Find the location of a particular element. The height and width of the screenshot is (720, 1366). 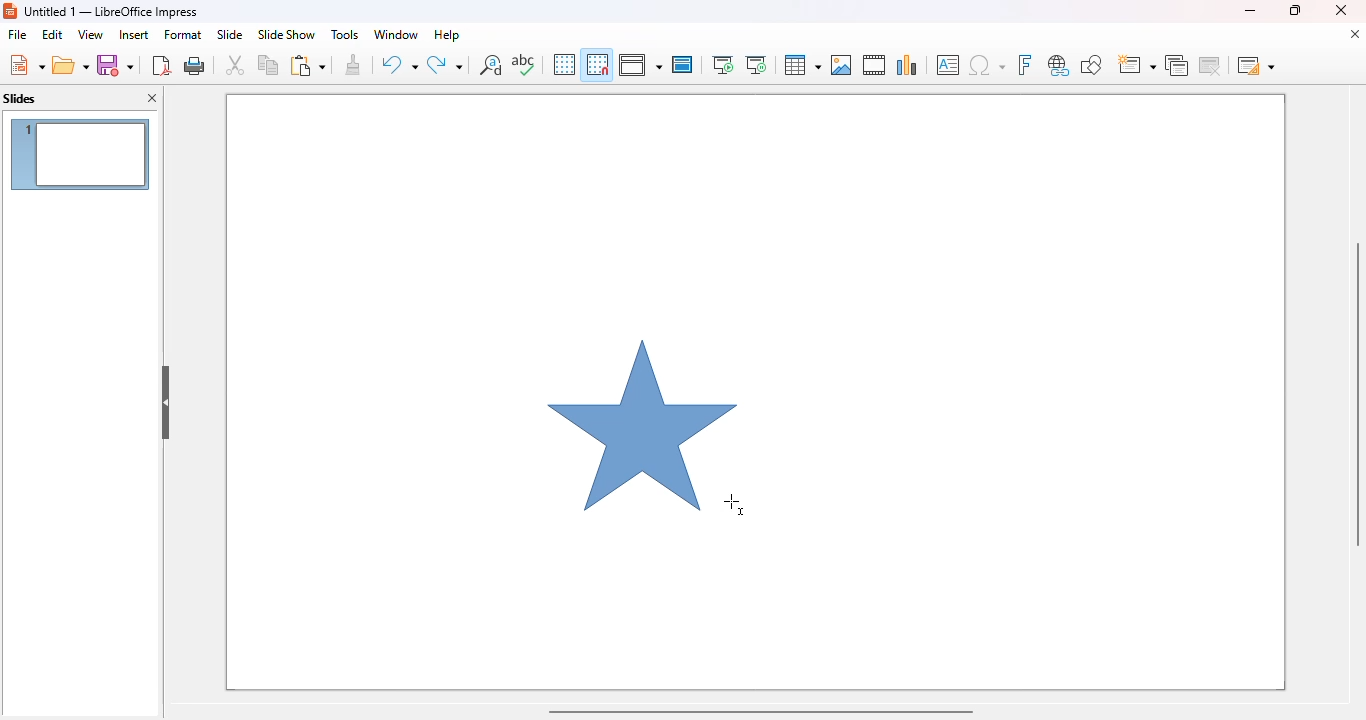

hide is located at coordinates (166, 403).